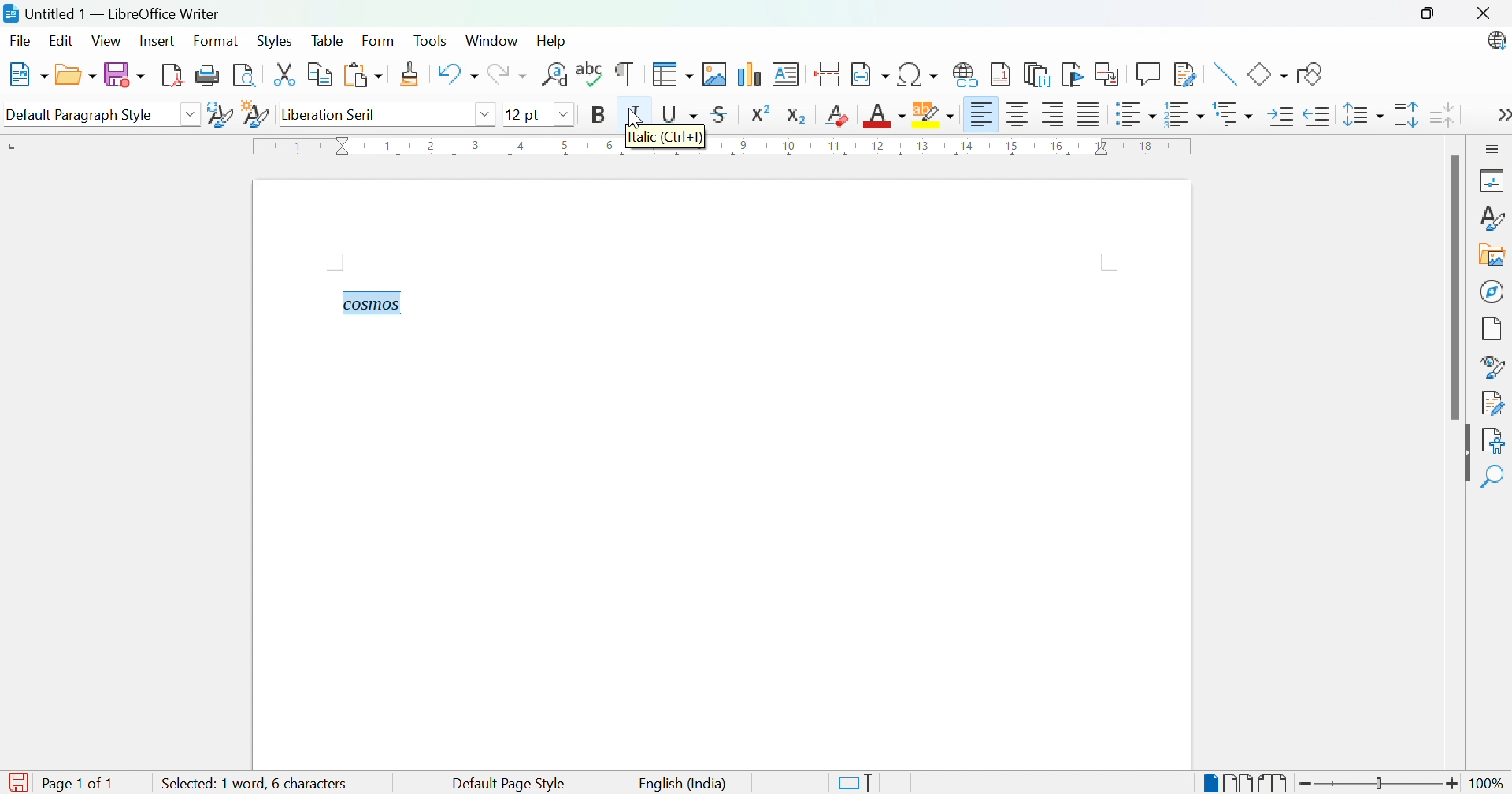 The height and width of the screenshot is (794, 1512). Describe the element at coordinates (1106, 74) in the screenshot. I see `Insert cross-reference` at that location.